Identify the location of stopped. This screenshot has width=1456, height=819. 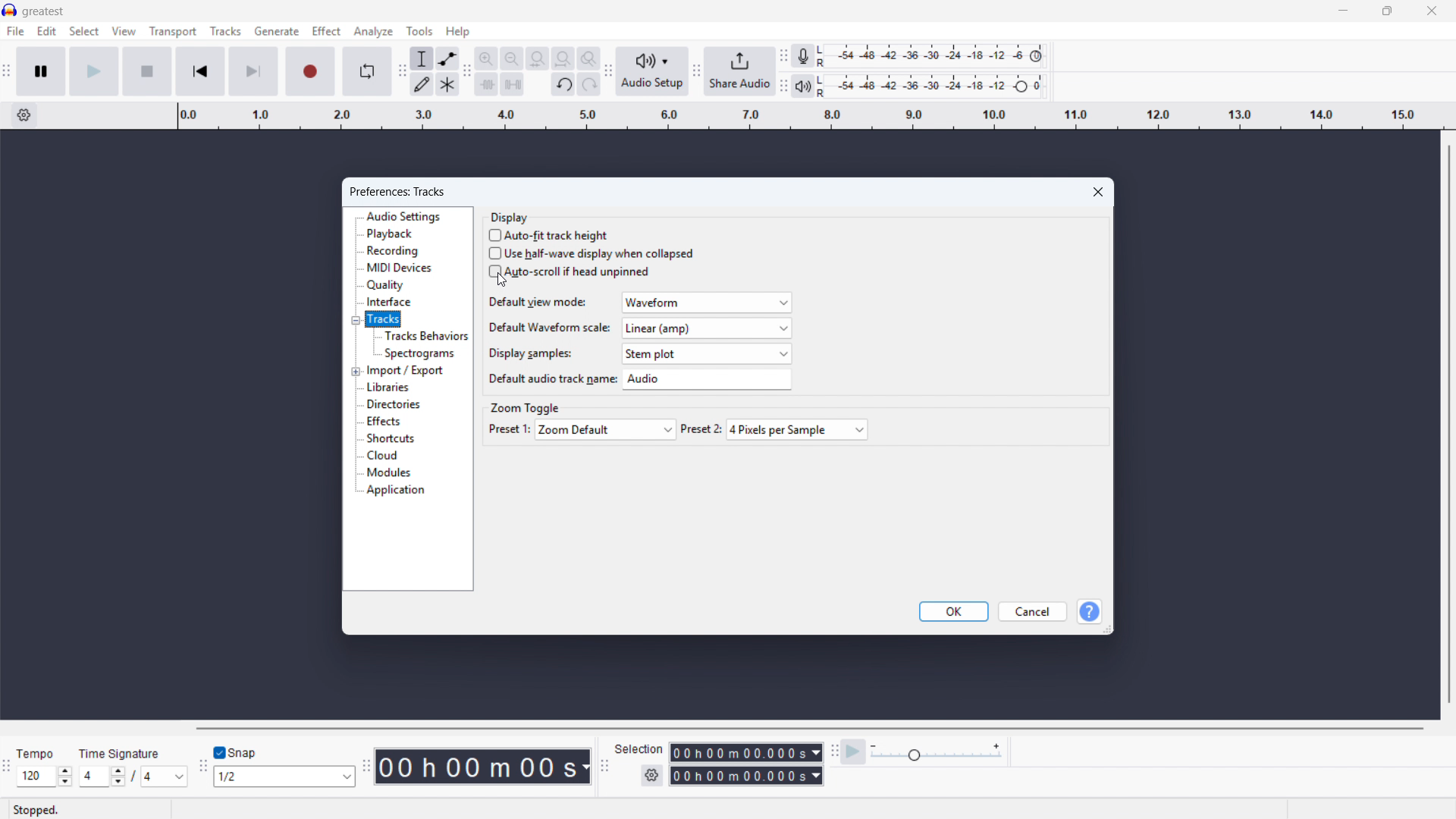
(35, 811).